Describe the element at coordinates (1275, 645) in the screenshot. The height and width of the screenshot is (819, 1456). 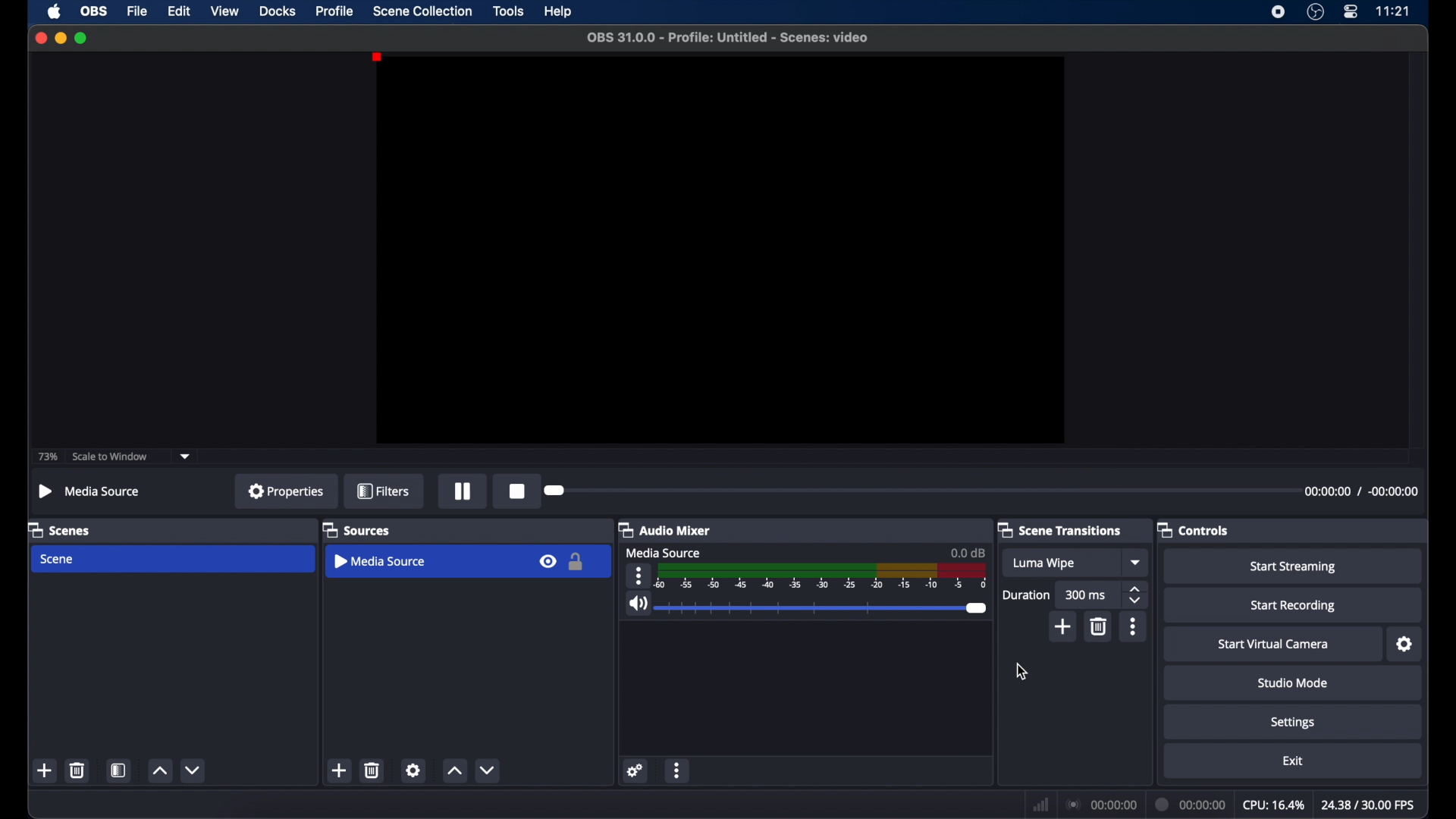
I see `start virtual camera` at that location.